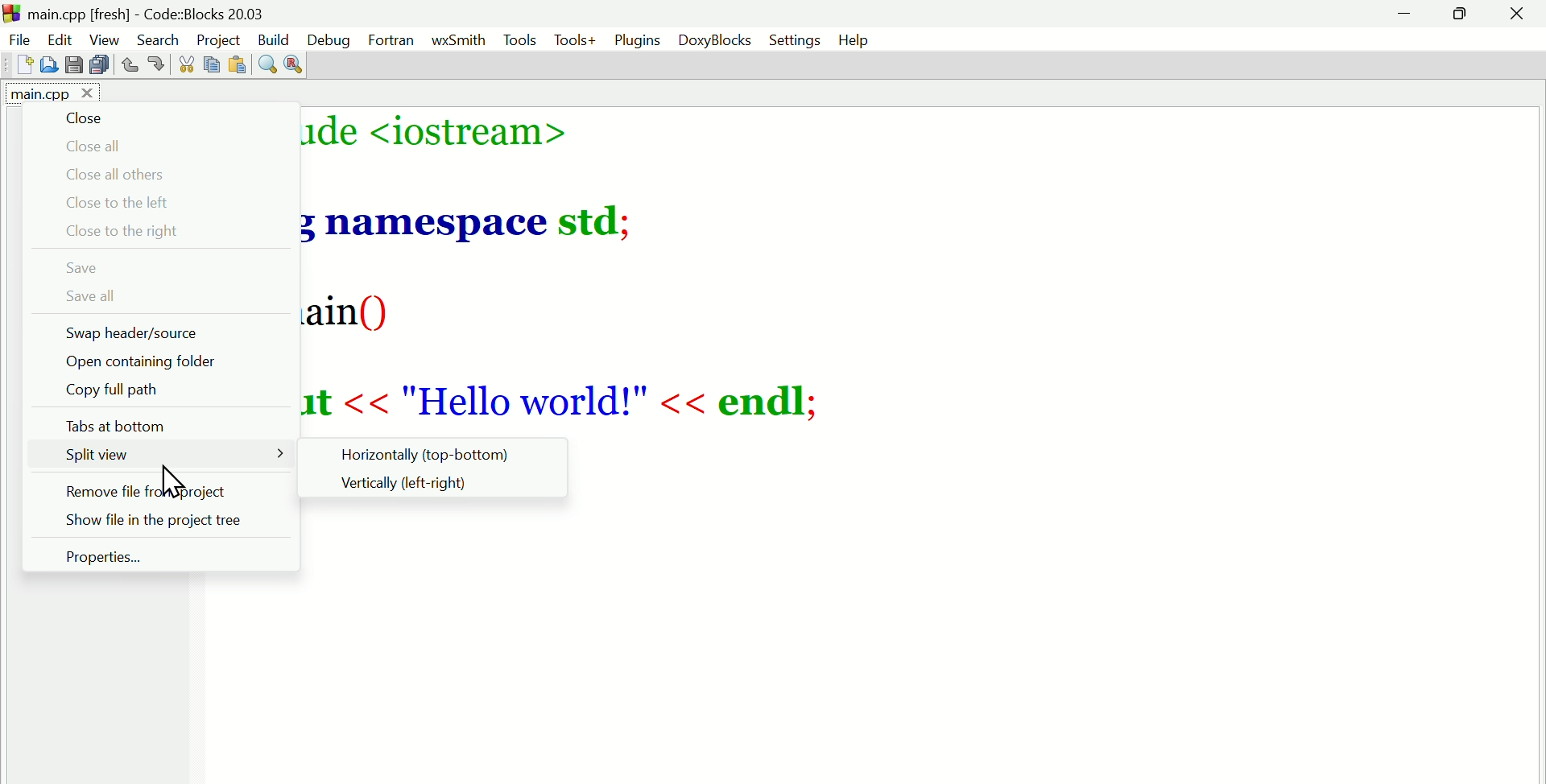  What do you see at coordinates (107, 39) in the screenshot?
I see `View` at bounding box center [107, 39].